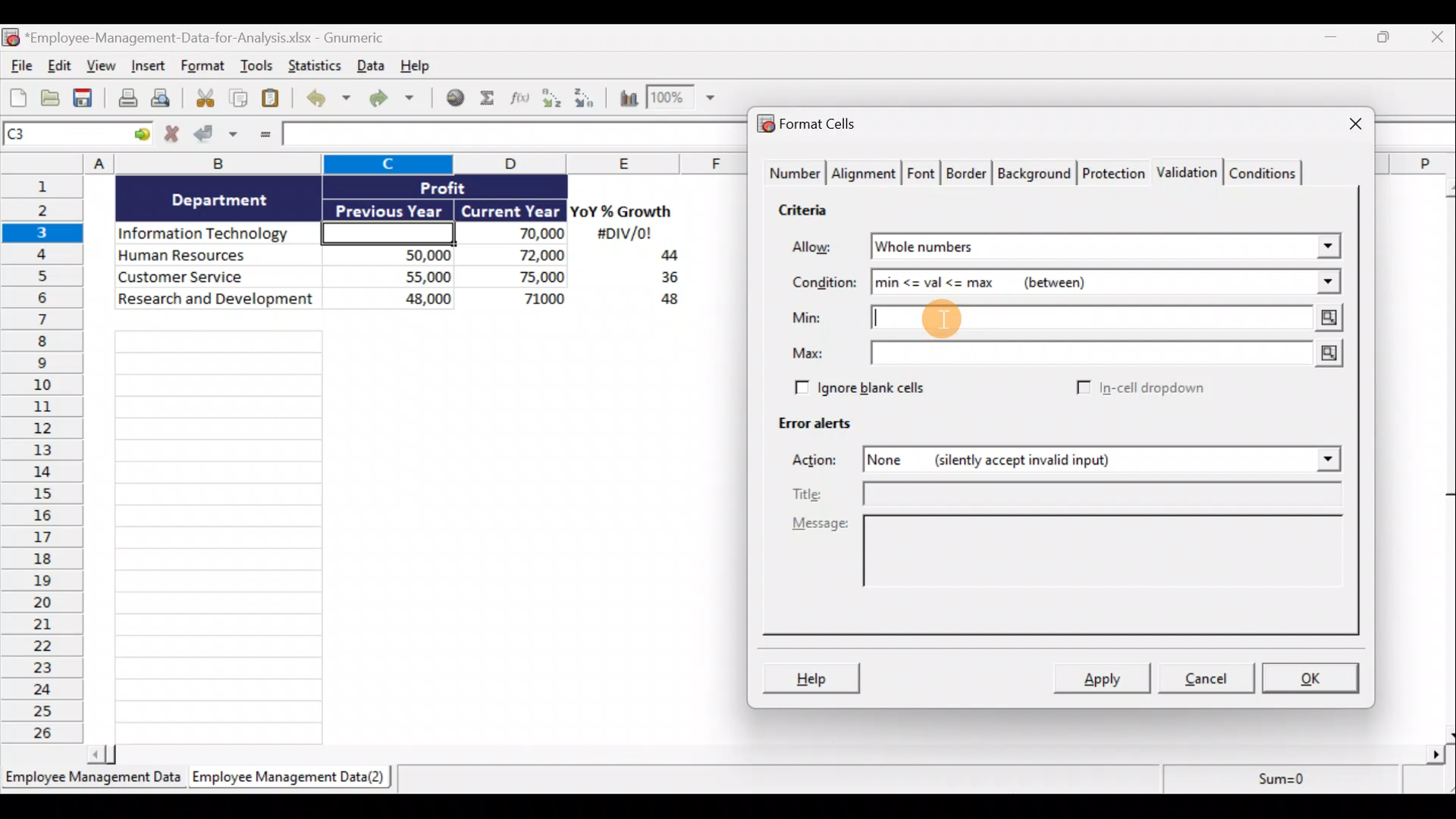 The image size is (1456, 819). What do you see at coordinates (1336, 40) in the screenshot?
I see `Minimize` at bounding box center [1336, 40].